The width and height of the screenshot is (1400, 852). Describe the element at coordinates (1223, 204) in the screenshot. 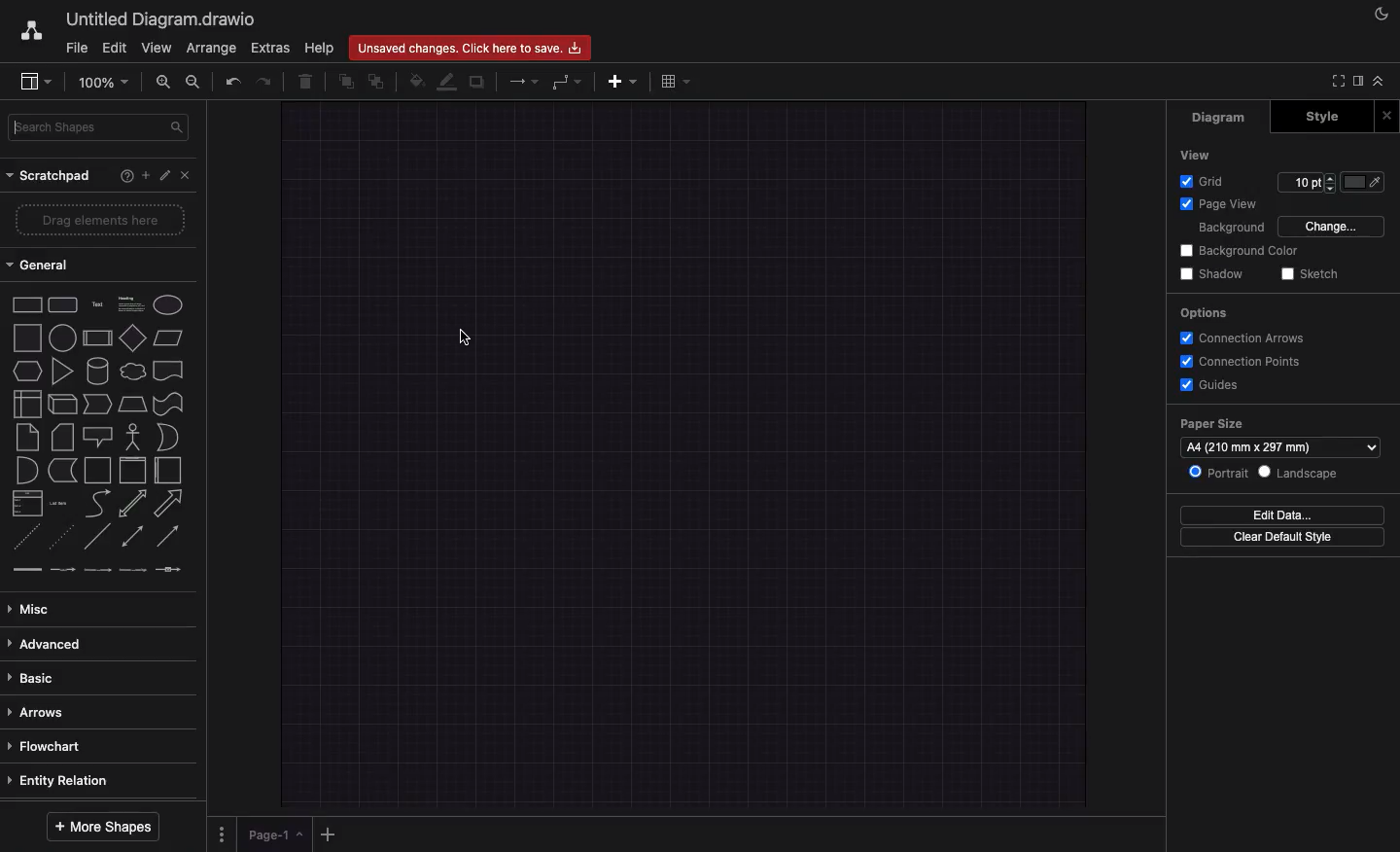

I see `Page view` at that location.